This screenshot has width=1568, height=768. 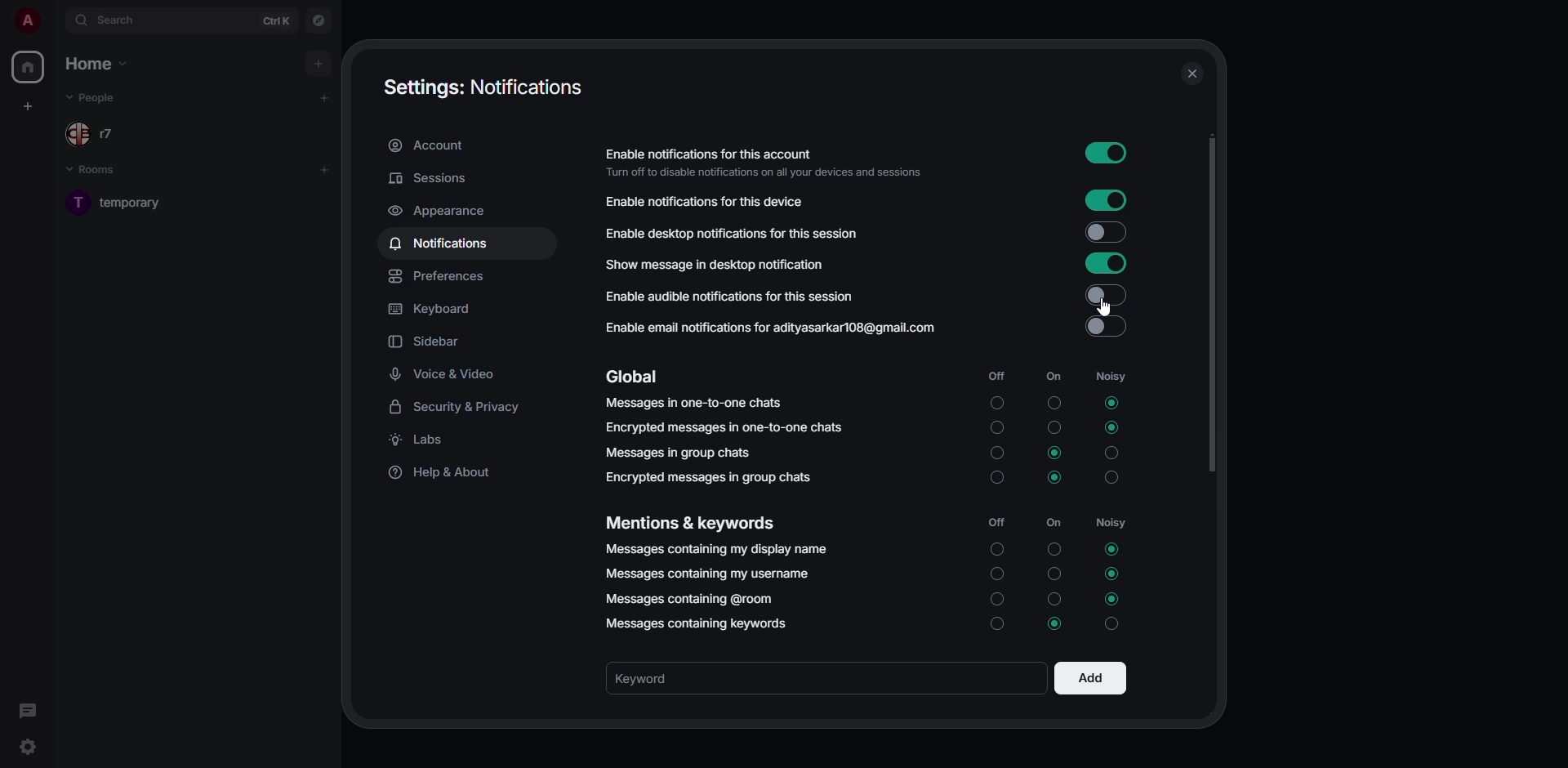 What do you see at coordinates (1104, 295) in the screenshot?
I see `disabled` at bounding box center [1104, 295].